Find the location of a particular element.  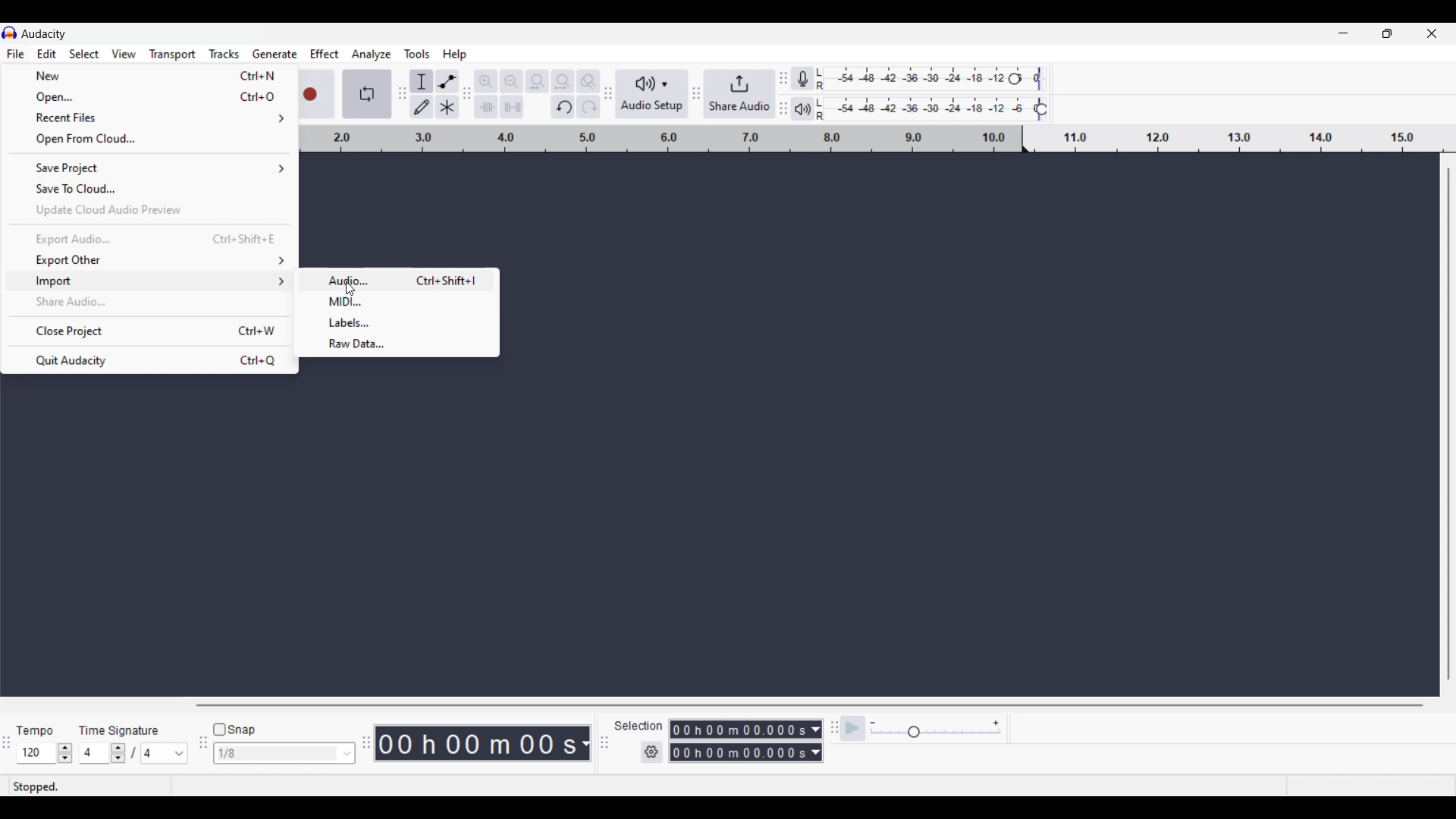

edit tool bar is located at coordinates (469, 96).